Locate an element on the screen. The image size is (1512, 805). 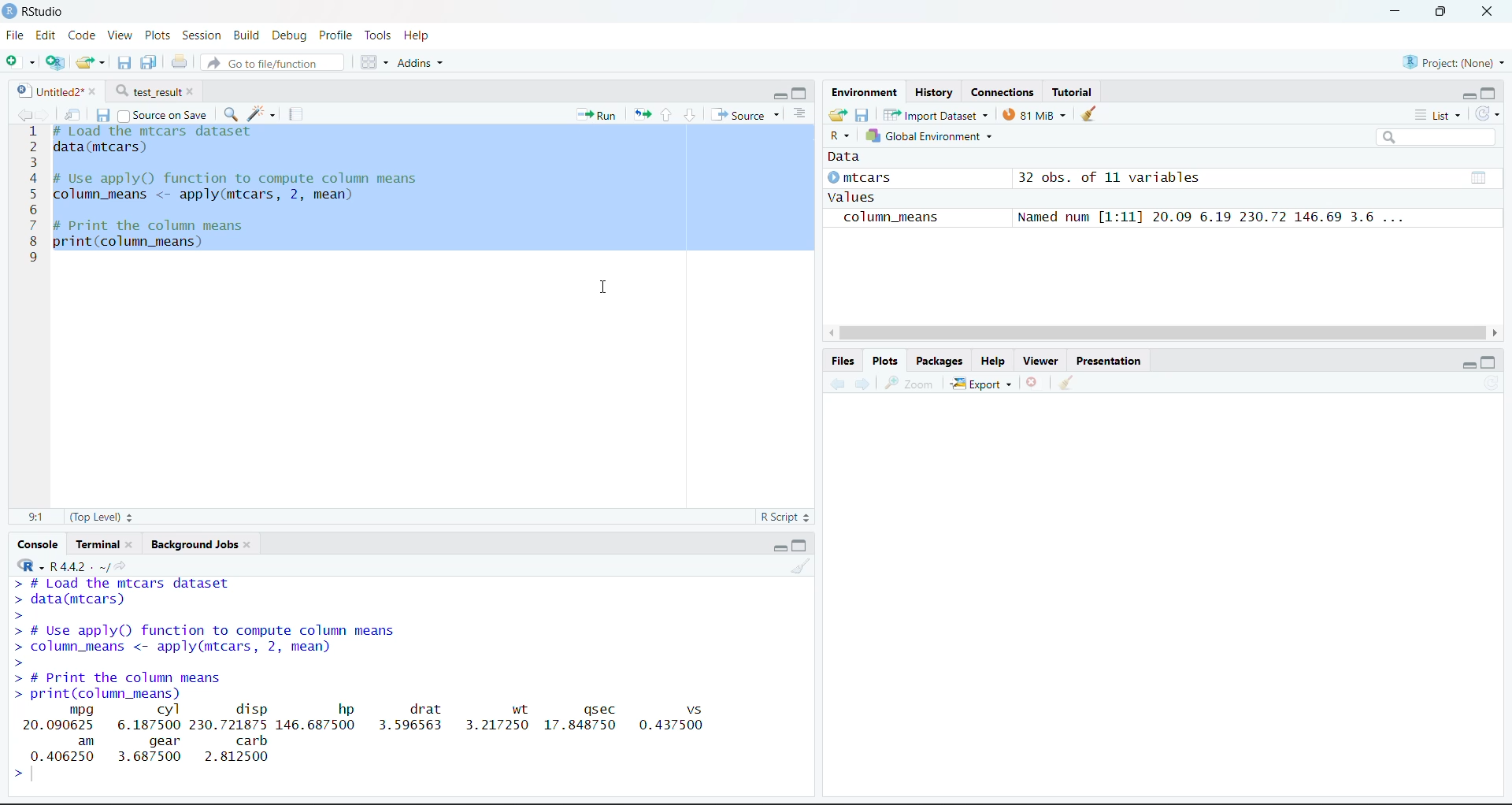
RStudio is located at coordinates (41, 11).